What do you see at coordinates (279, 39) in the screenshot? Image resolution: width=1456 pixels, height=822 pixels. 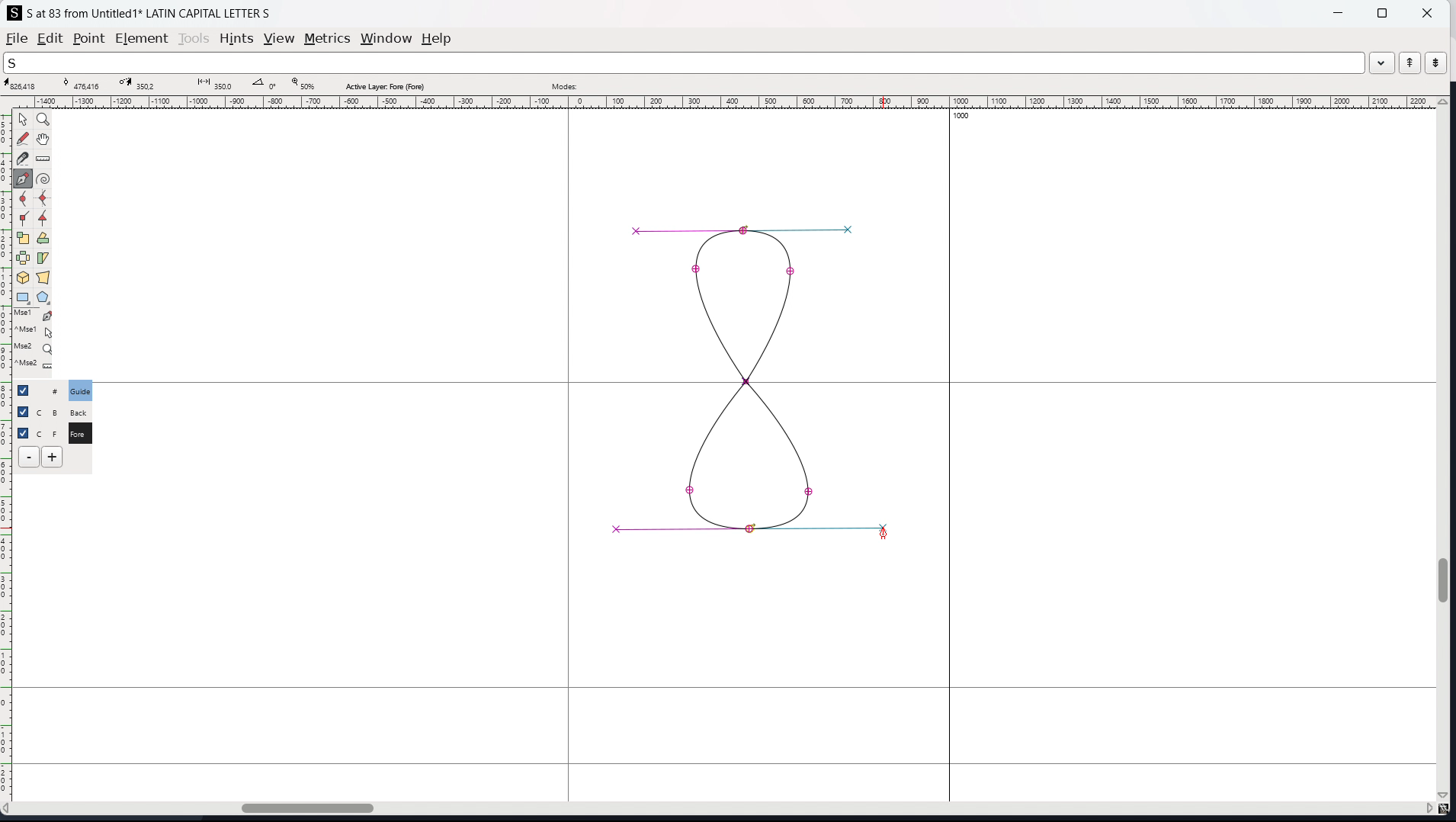 I see `view` at bounding box center [279, 39].